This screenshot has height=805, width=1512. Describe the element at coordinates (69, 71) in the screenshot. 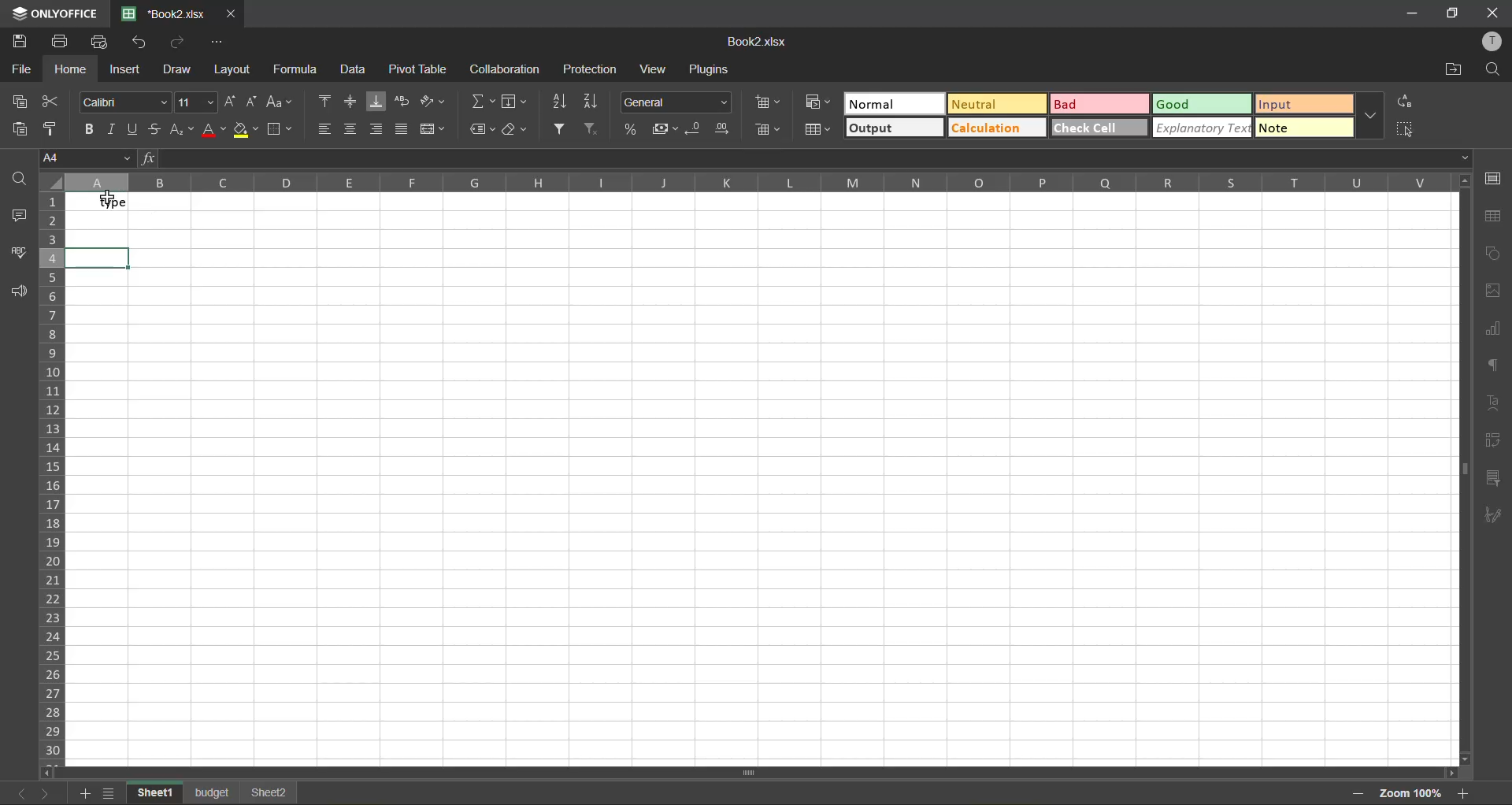

I see `home` at that location.